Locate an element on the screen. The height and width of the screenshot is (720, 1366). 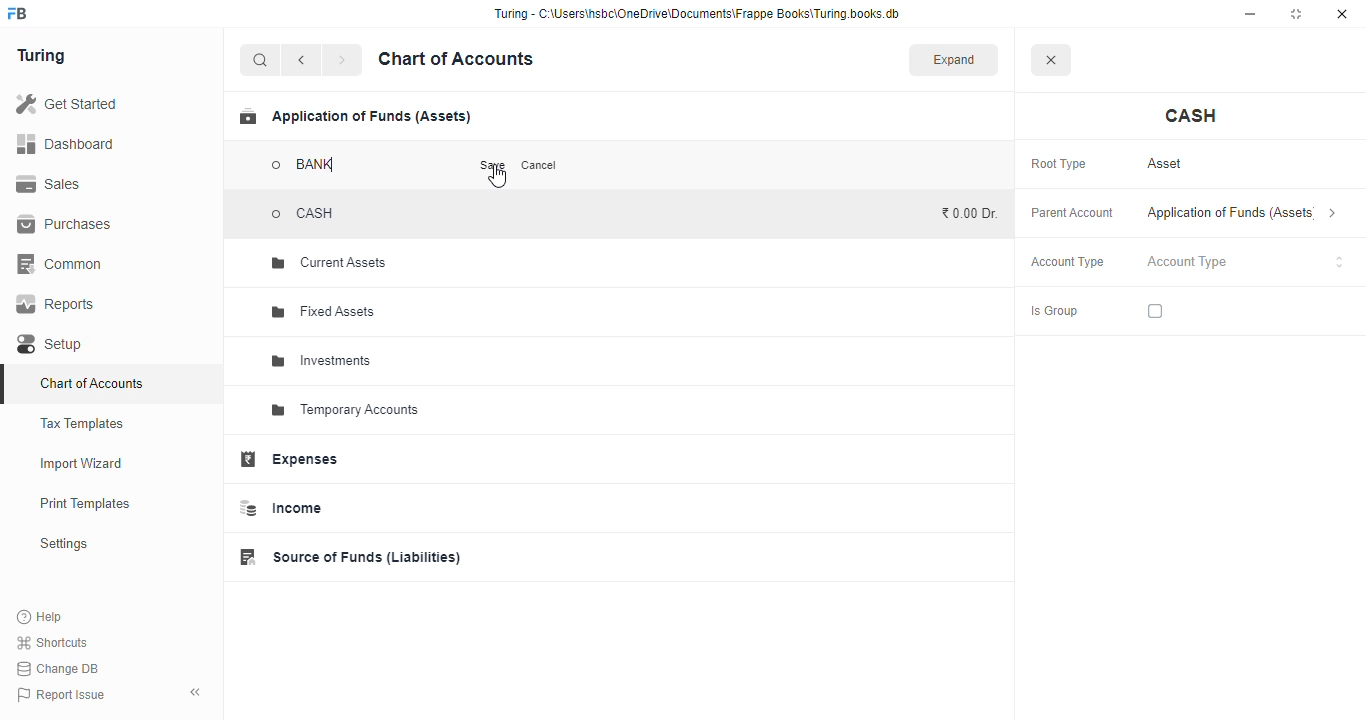
cash is located at coordinates (1192, 116).